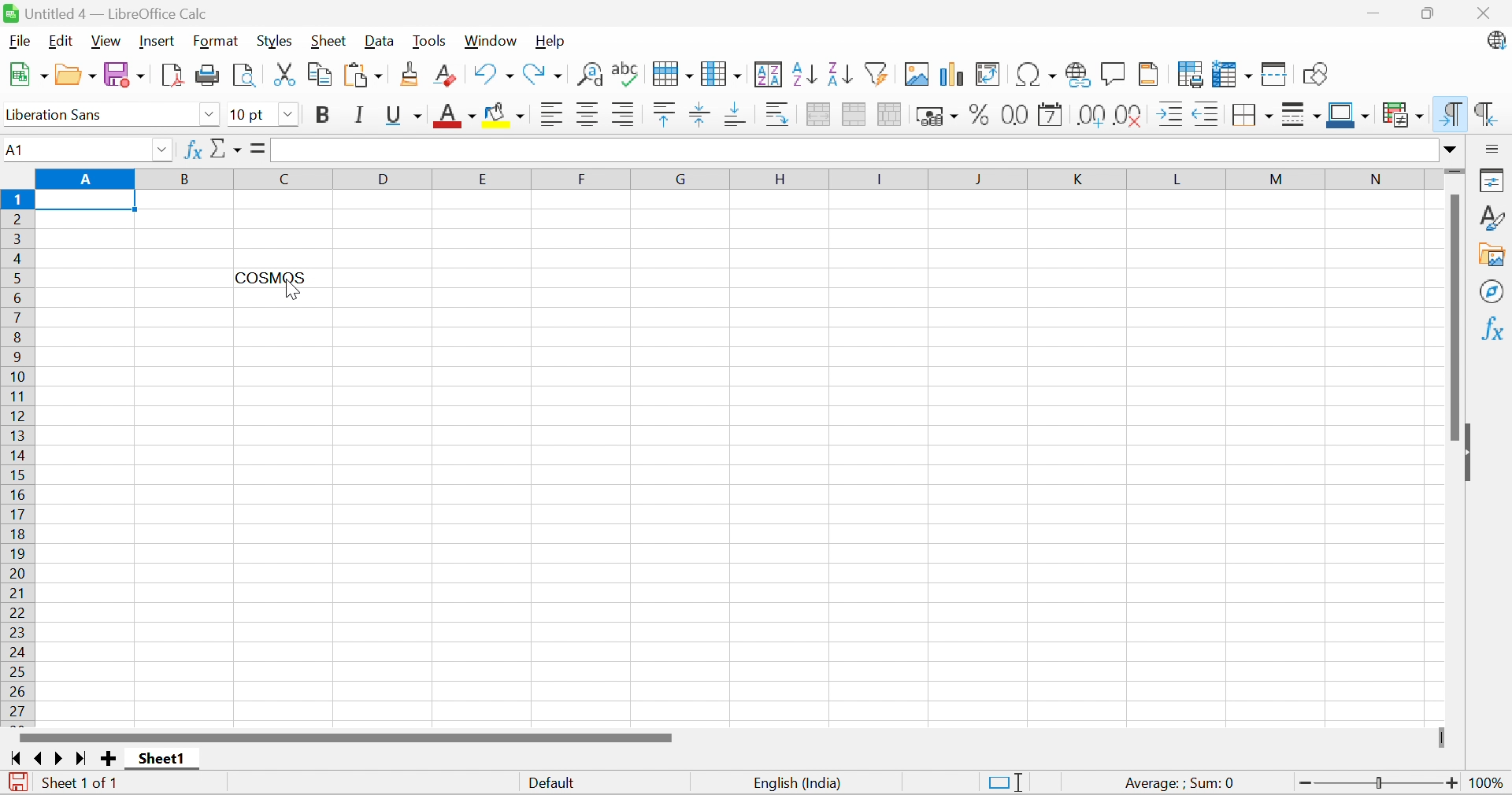 The width and height of the screenshot is (1512, 795). Describe the element at coordinates (736, 115) in the screenshot. I see `Align Bottom` at that location.